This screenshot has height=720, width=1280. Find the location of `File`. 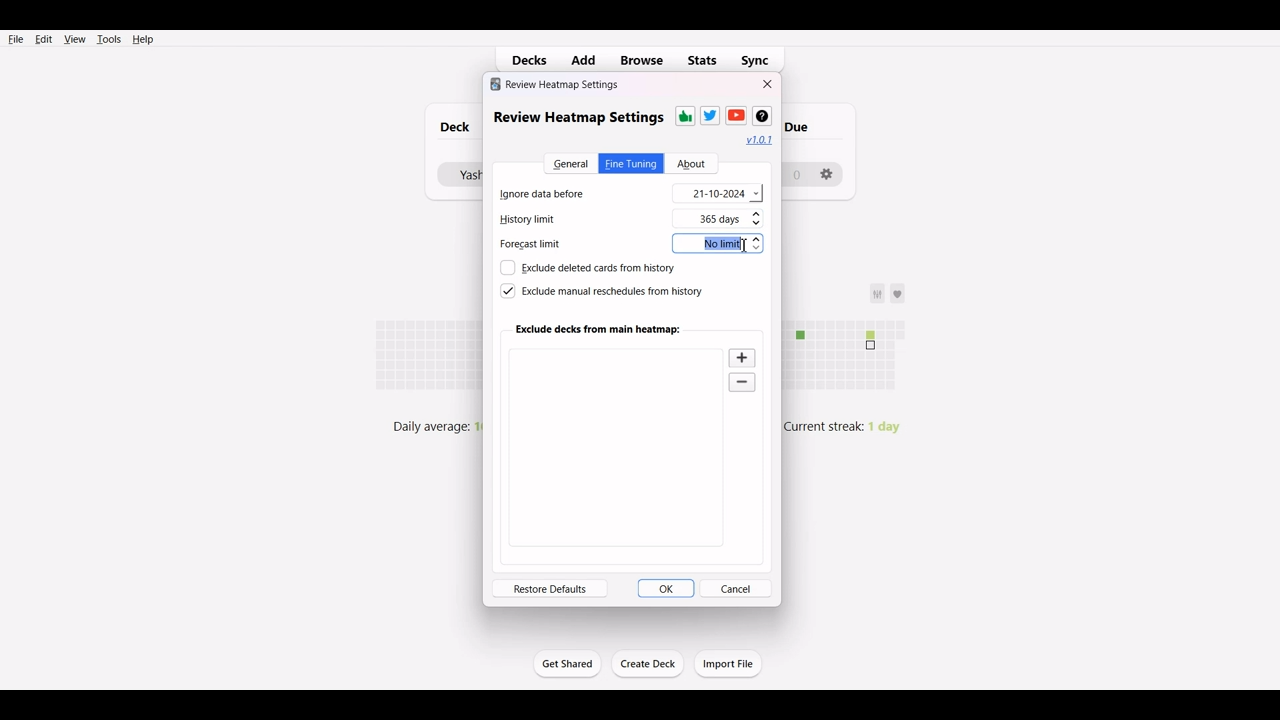

File is located at coordinates (16, 38).